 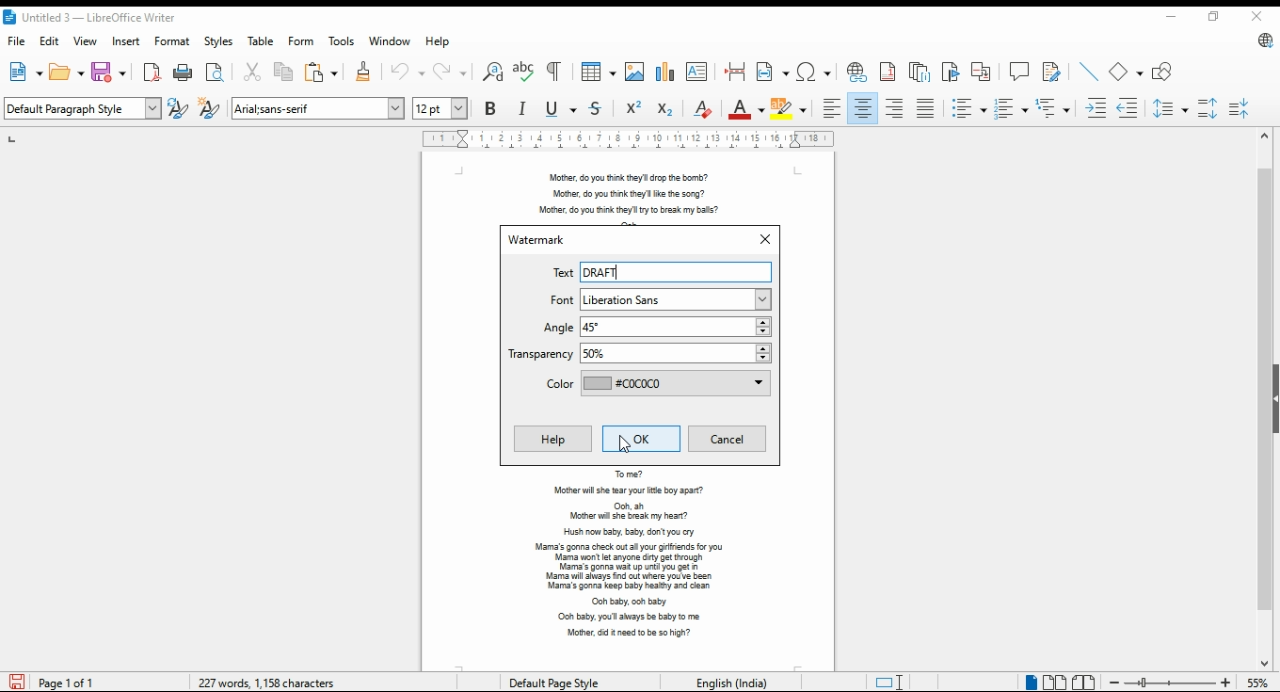 I want to click on form, so click(x=302, y=42).